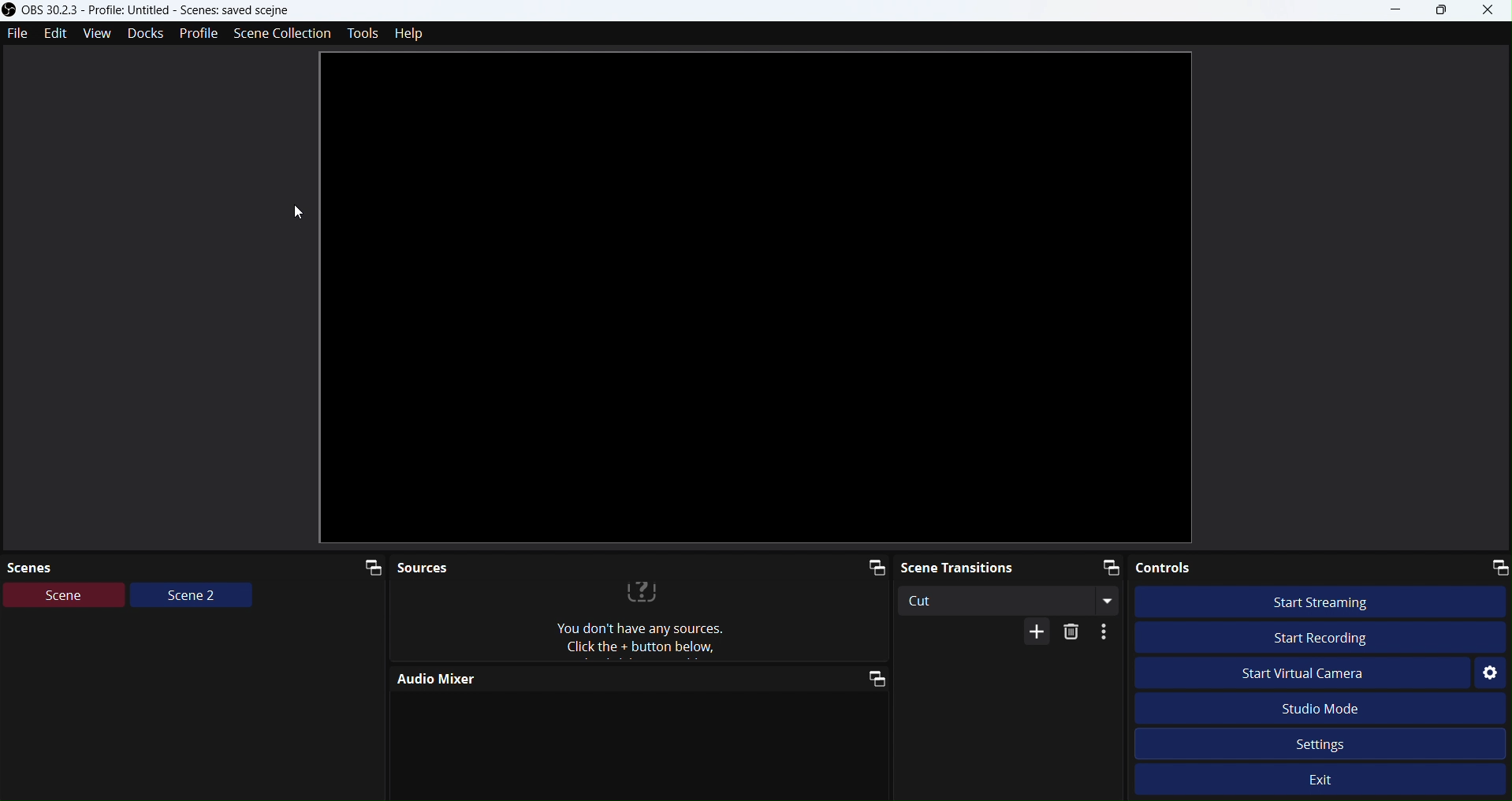 This screenshot has height=801, width=1512. What do you see at coordinates (1325, 782) in the screenshot?
I see `Exit` at bounding box center [1325, 782].